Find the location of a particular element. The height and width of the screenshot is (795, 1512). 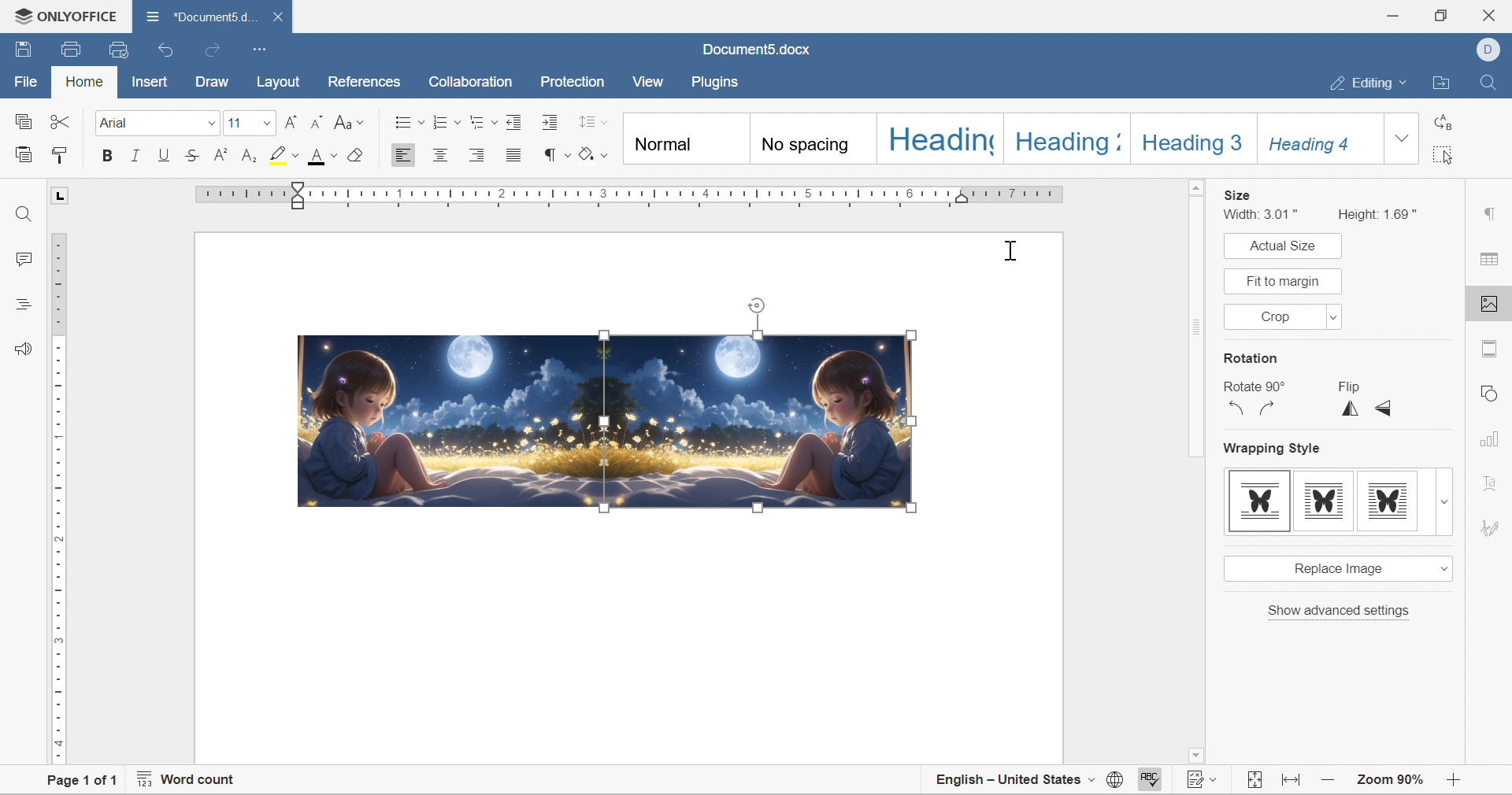

font is located at coordinates (118, 122).